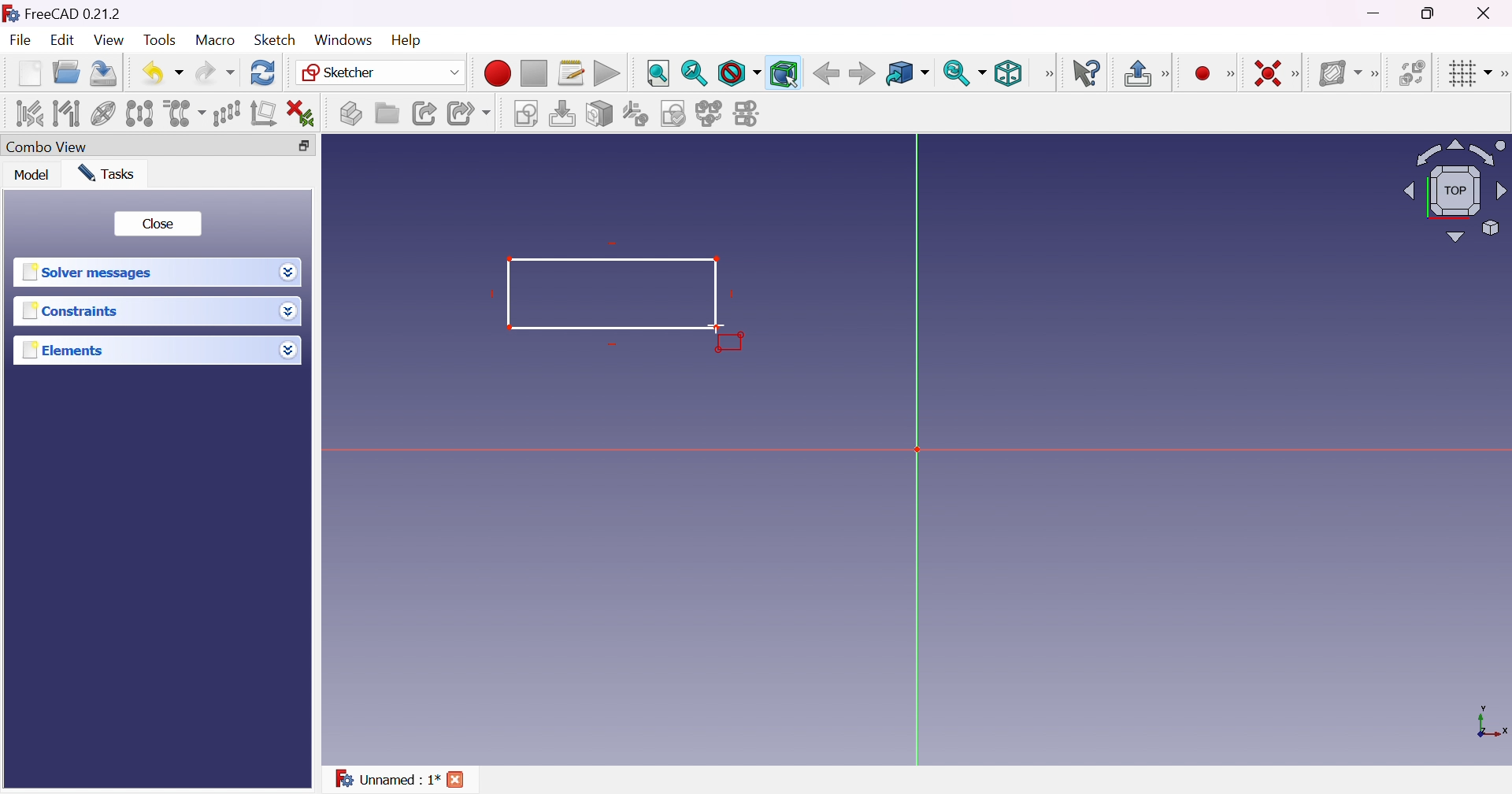 The image size is (1512, 794). Describe the element at coordinates (106, 173) in the screenshot. I see `Tasks` at that location.